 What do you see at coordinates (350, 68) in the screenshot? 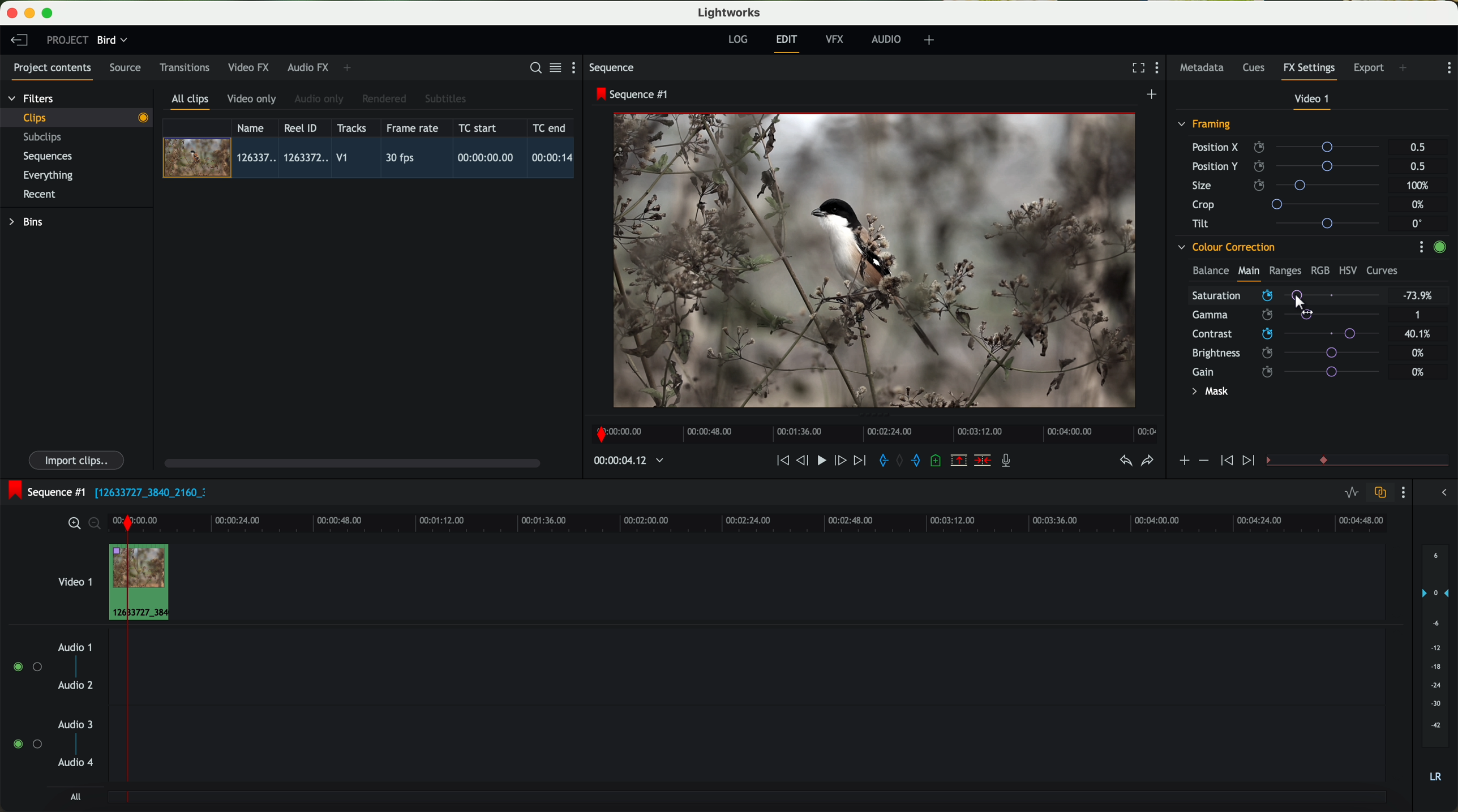
I see `add panel` at bounding box center [350, 68].